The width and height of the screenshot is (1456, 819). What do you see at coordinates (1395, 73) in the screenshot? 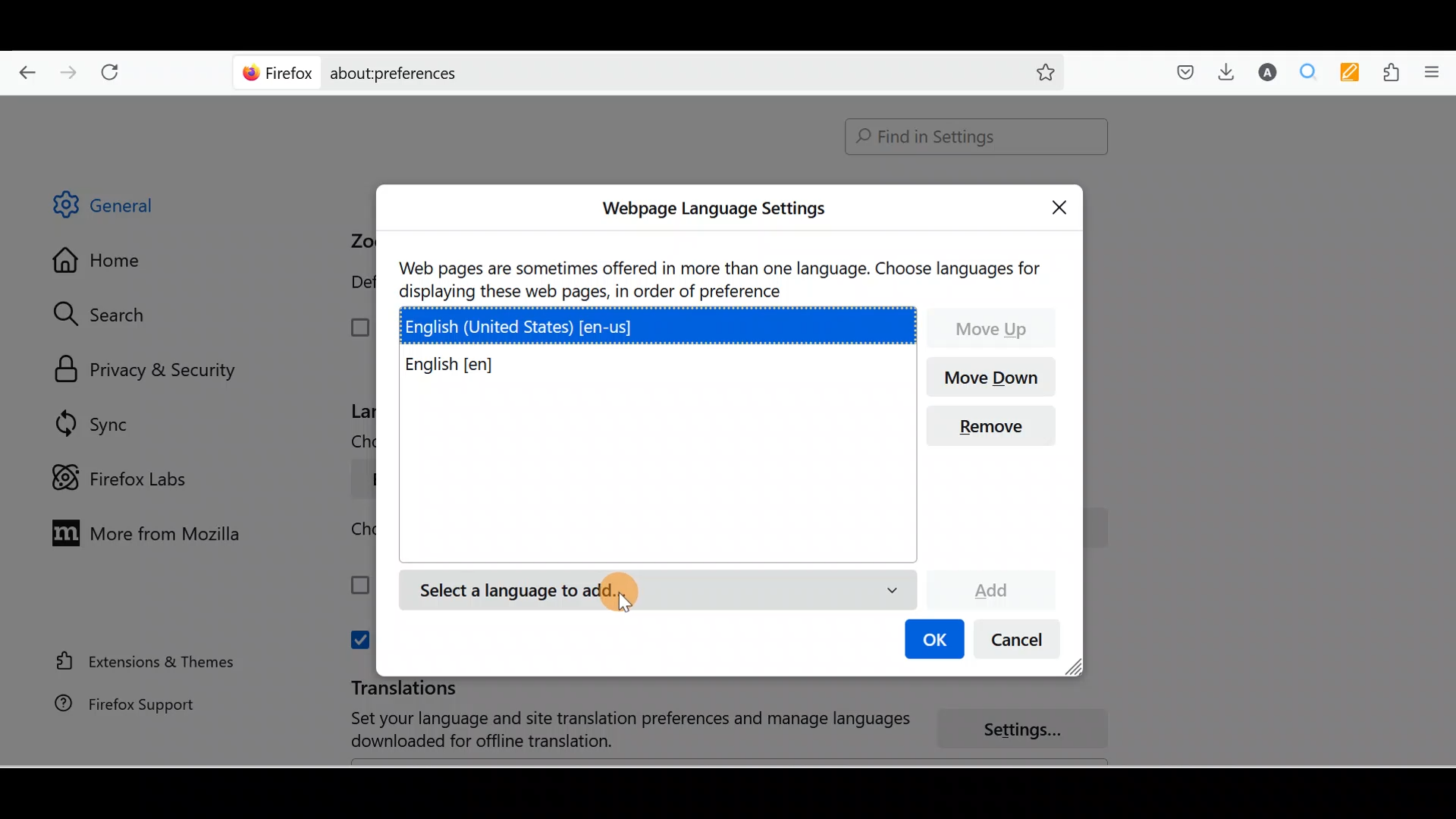
I see `Extensions` at bounding box center [1395, 73].